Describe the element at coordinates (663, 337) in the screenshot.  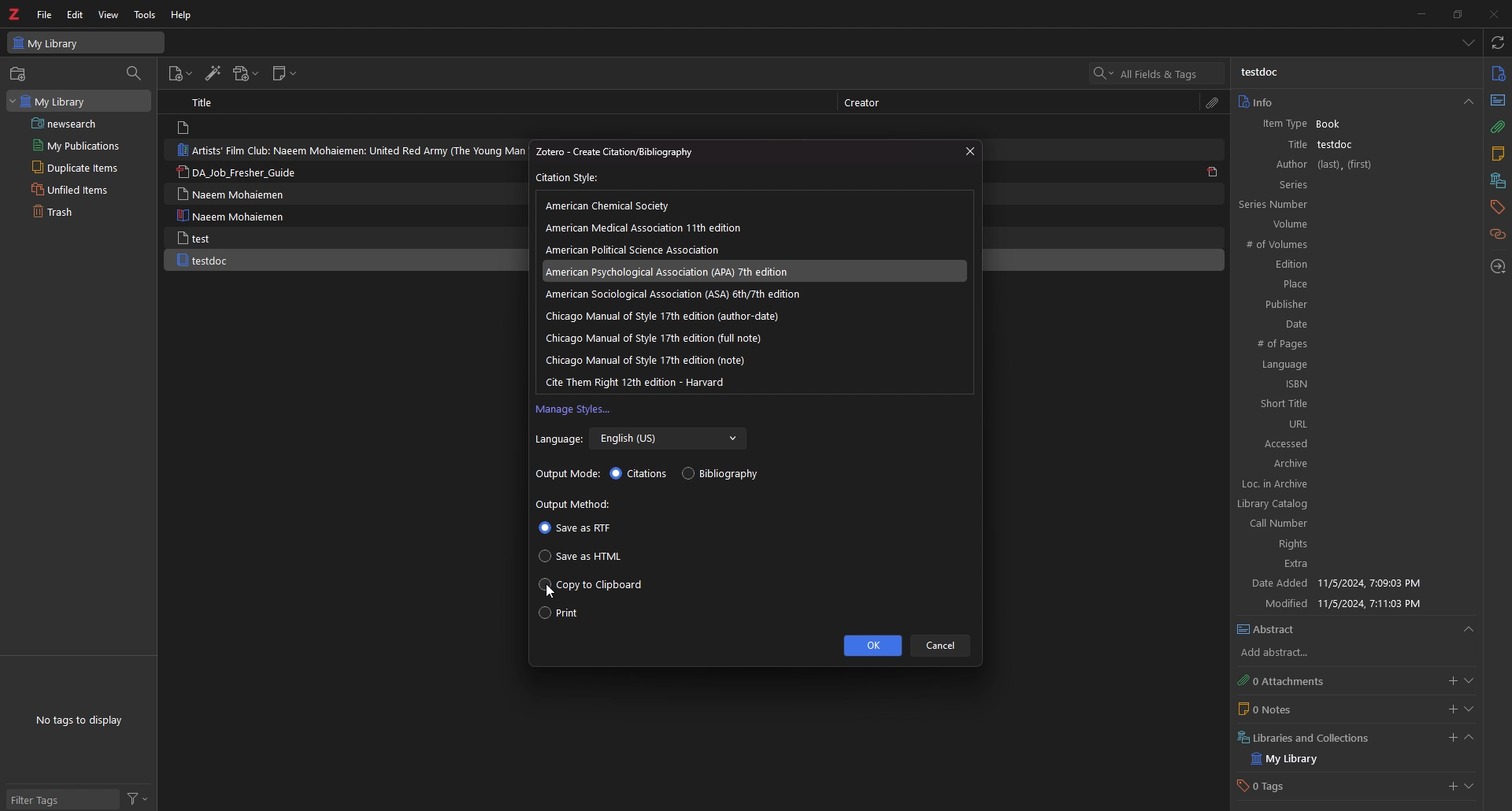
I see `chicago manual of style full note` at that location.